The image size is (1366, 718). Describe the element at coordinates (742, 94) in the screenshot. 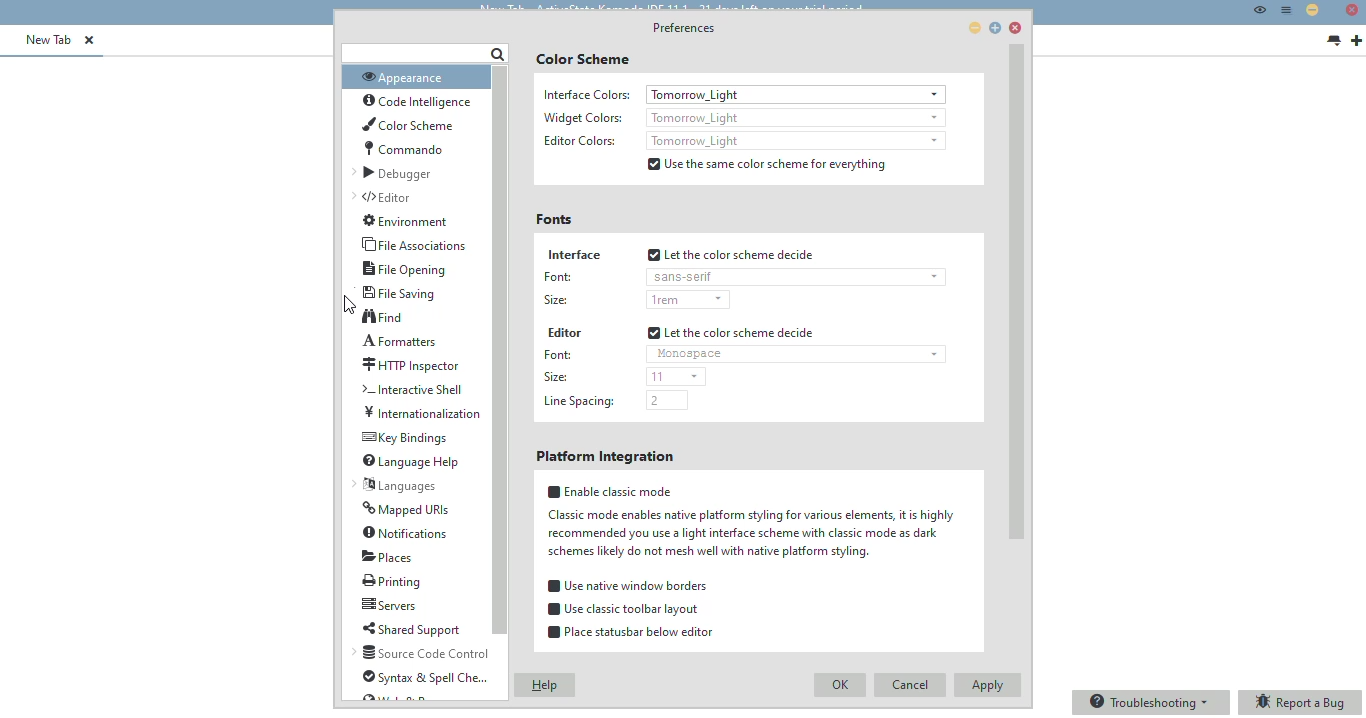

I see `interface colors: tomorrow_light` at that location.